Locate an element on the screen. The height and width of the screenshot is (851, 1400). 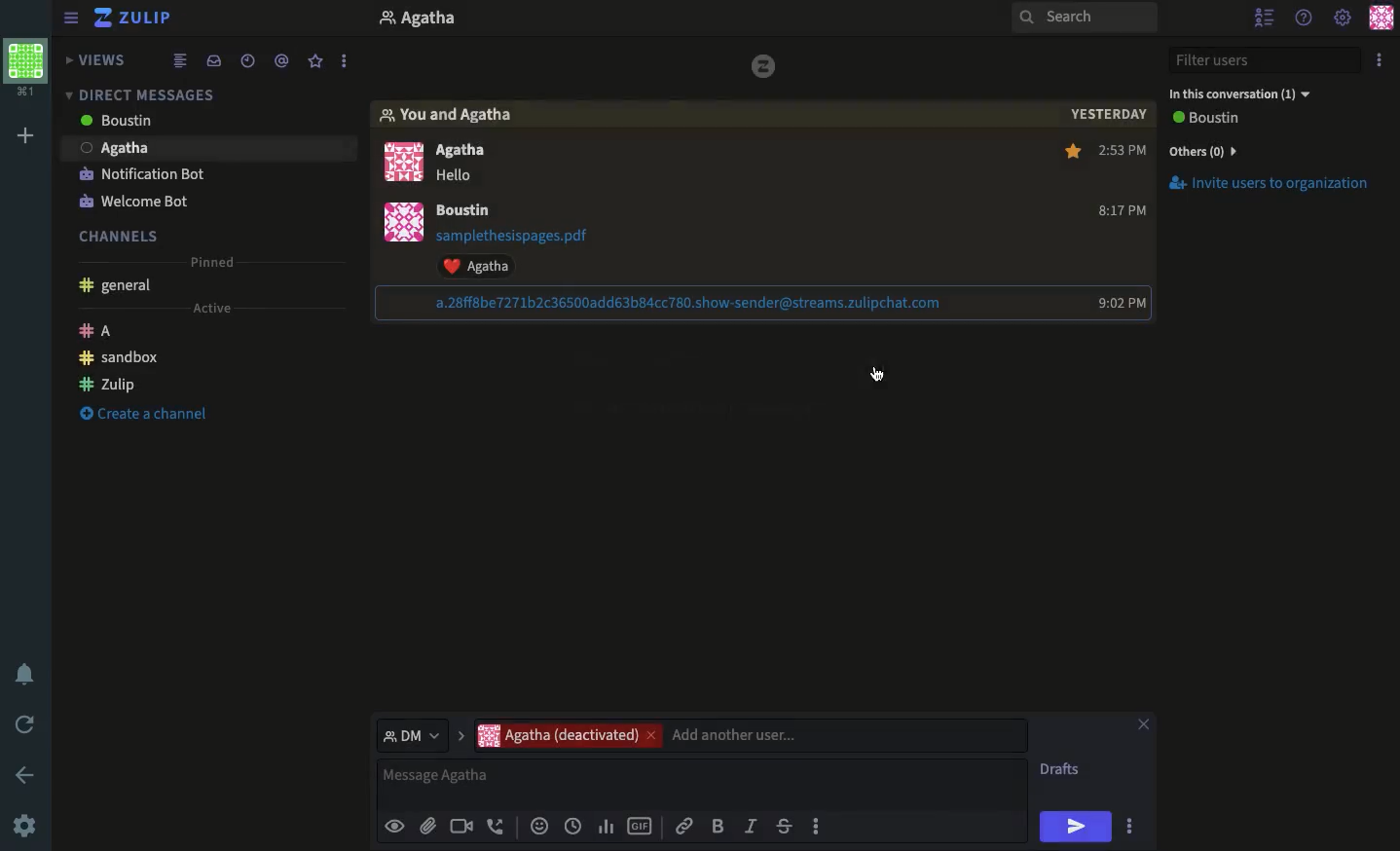
Settings is located at coordinates (1344, 16).